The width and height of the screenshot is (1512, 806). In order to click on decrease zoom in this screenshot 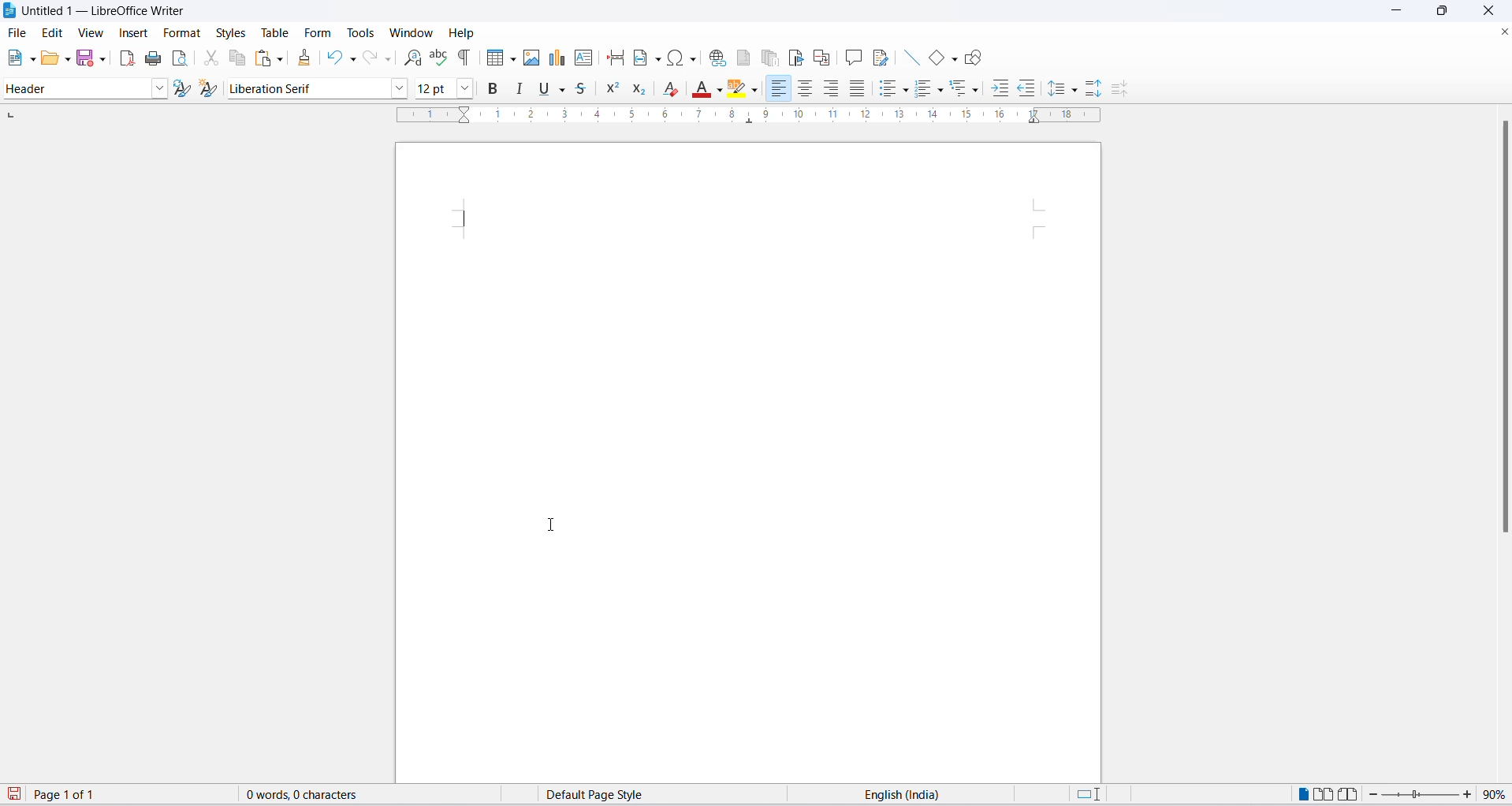, I will do `click(1371, 795)`.